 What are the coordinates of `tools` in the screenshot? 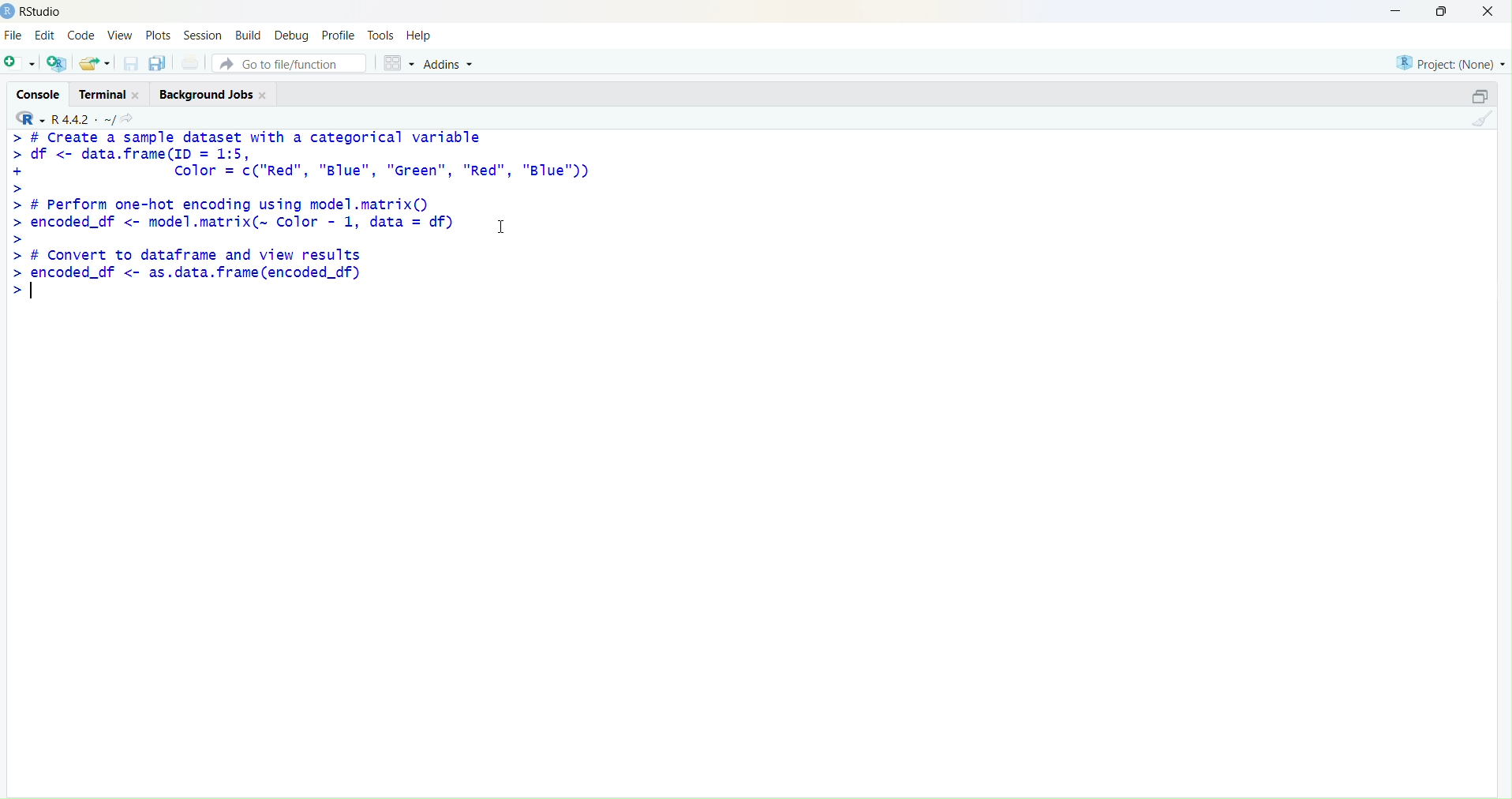 It's located at (381, 36).